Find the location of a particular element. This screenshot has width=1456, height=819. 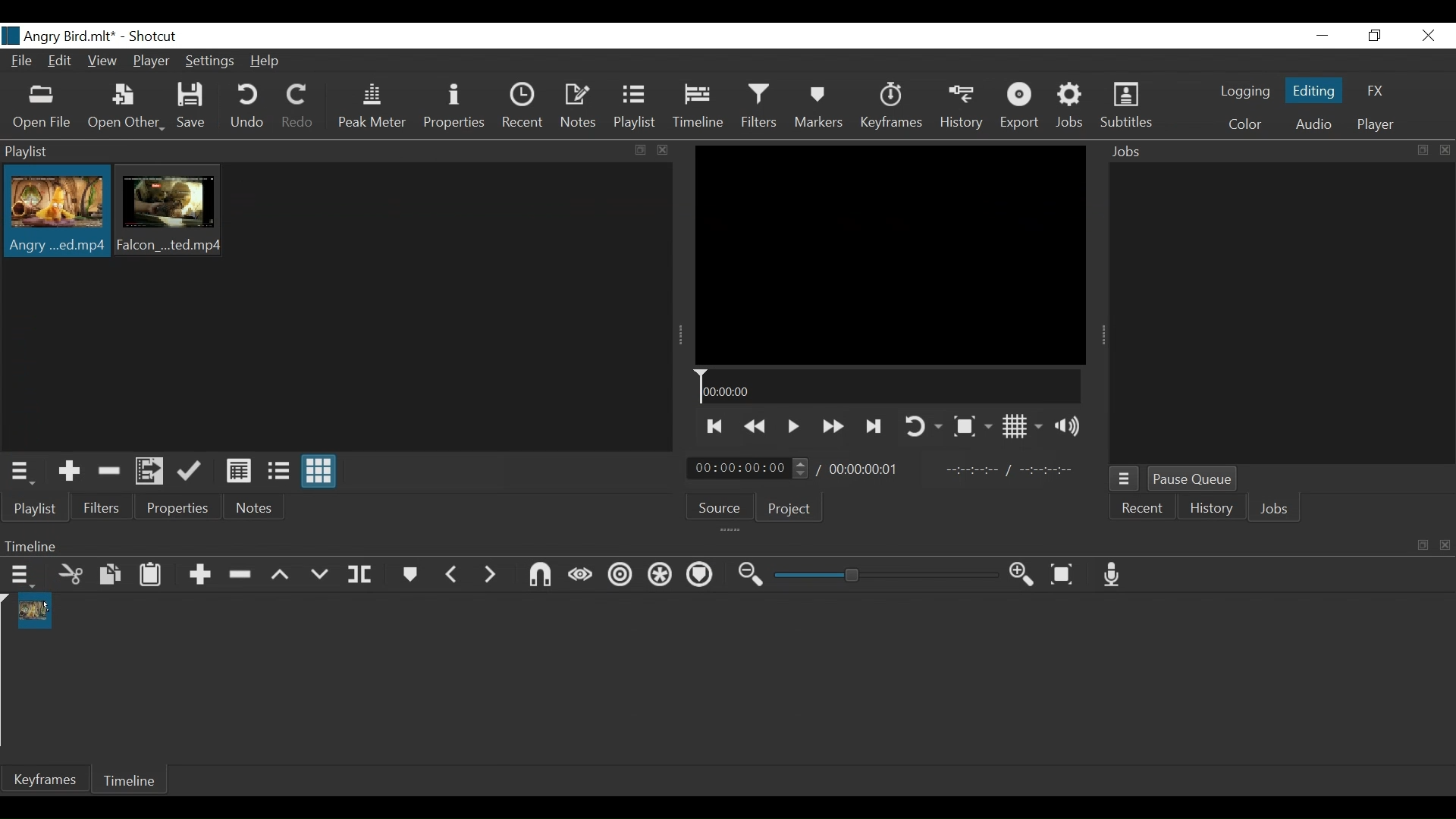

Timeline is located at coordinates (131, 779).